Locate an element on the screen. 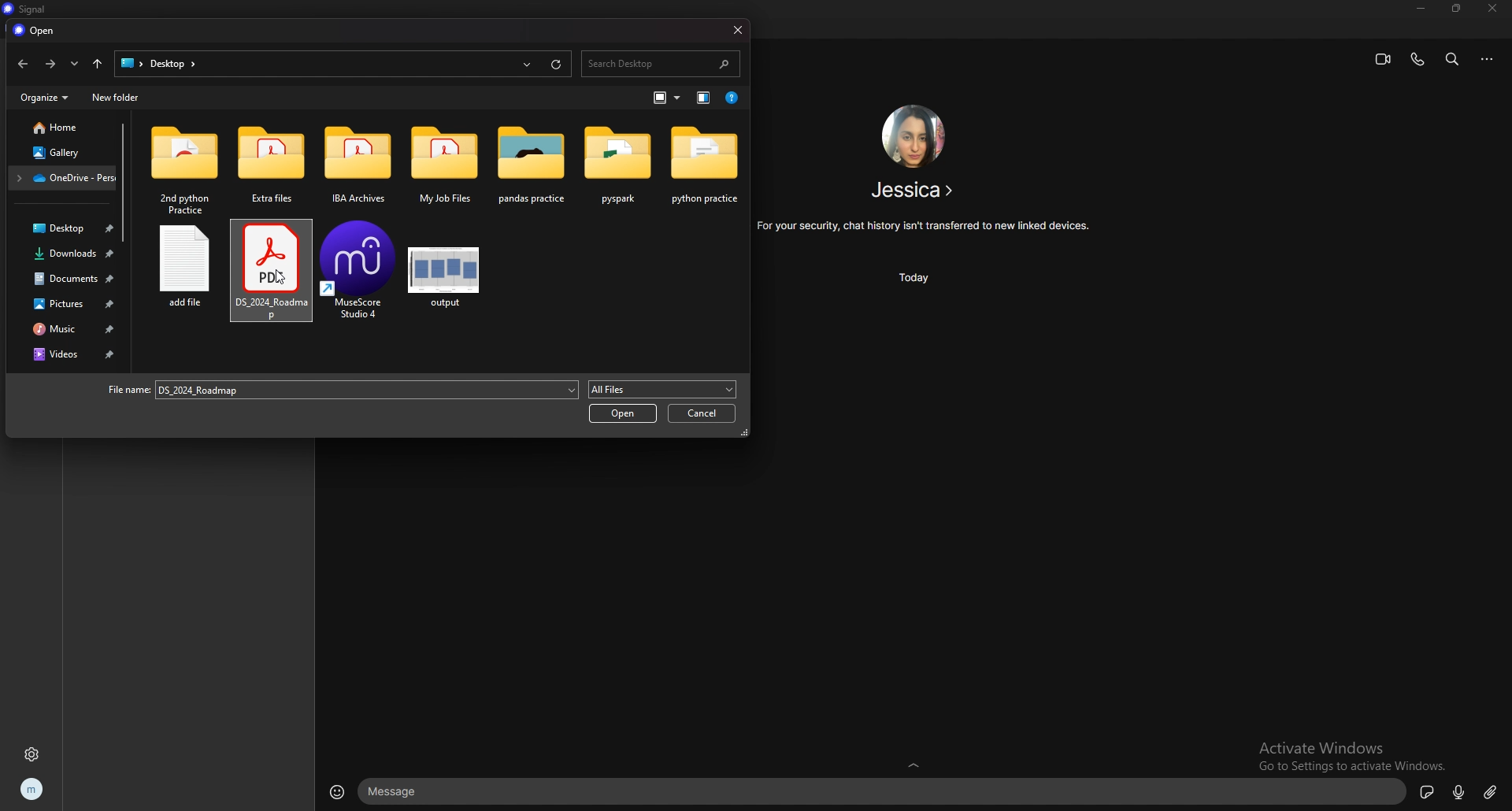 This screenshot has height=811, width=1512. options is located at coordinates (1489, 59).